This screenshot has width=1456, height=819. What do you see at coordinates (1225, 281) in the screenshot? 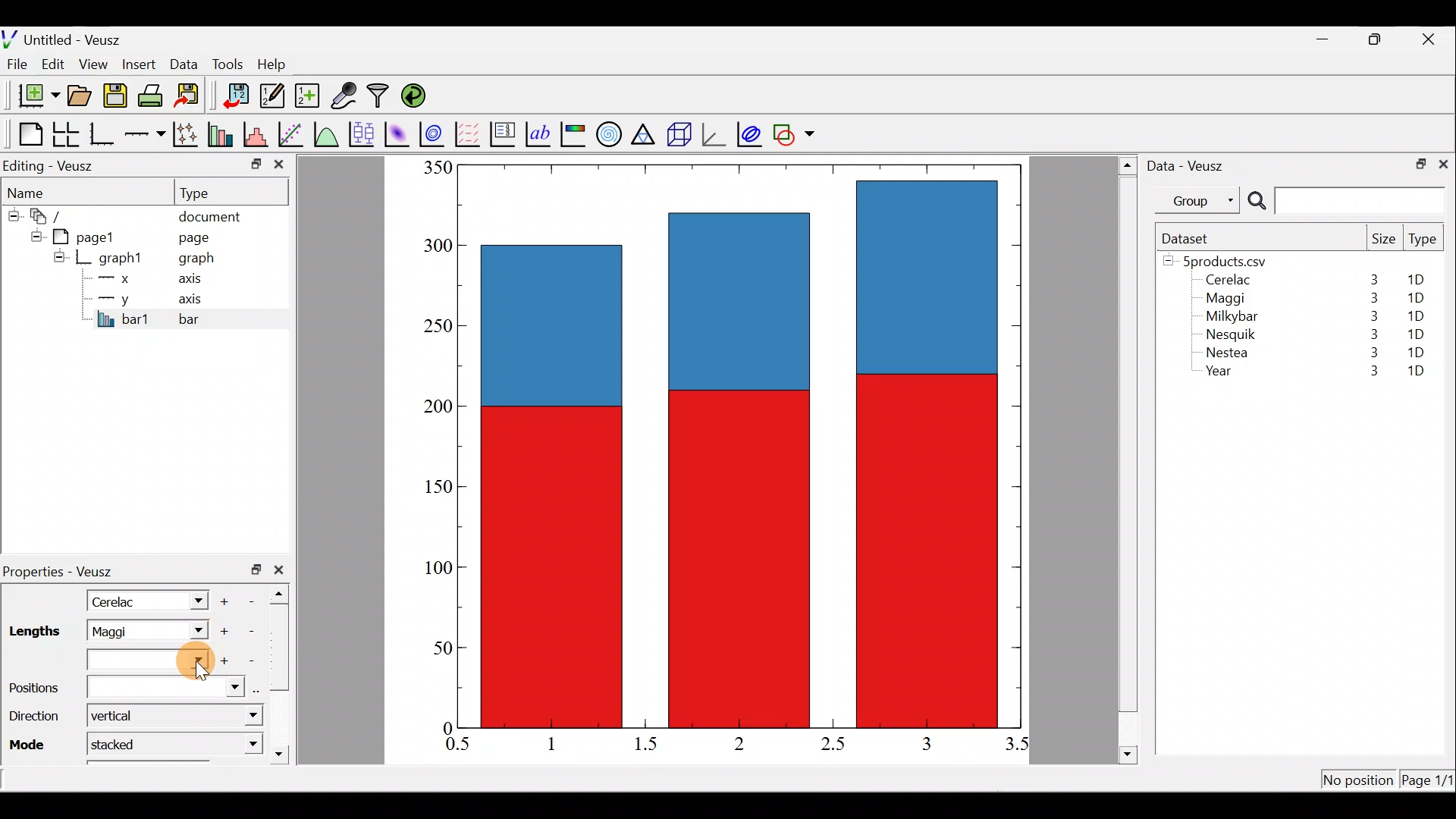
I see `Cerelac` at bounding box center [1225, 281].